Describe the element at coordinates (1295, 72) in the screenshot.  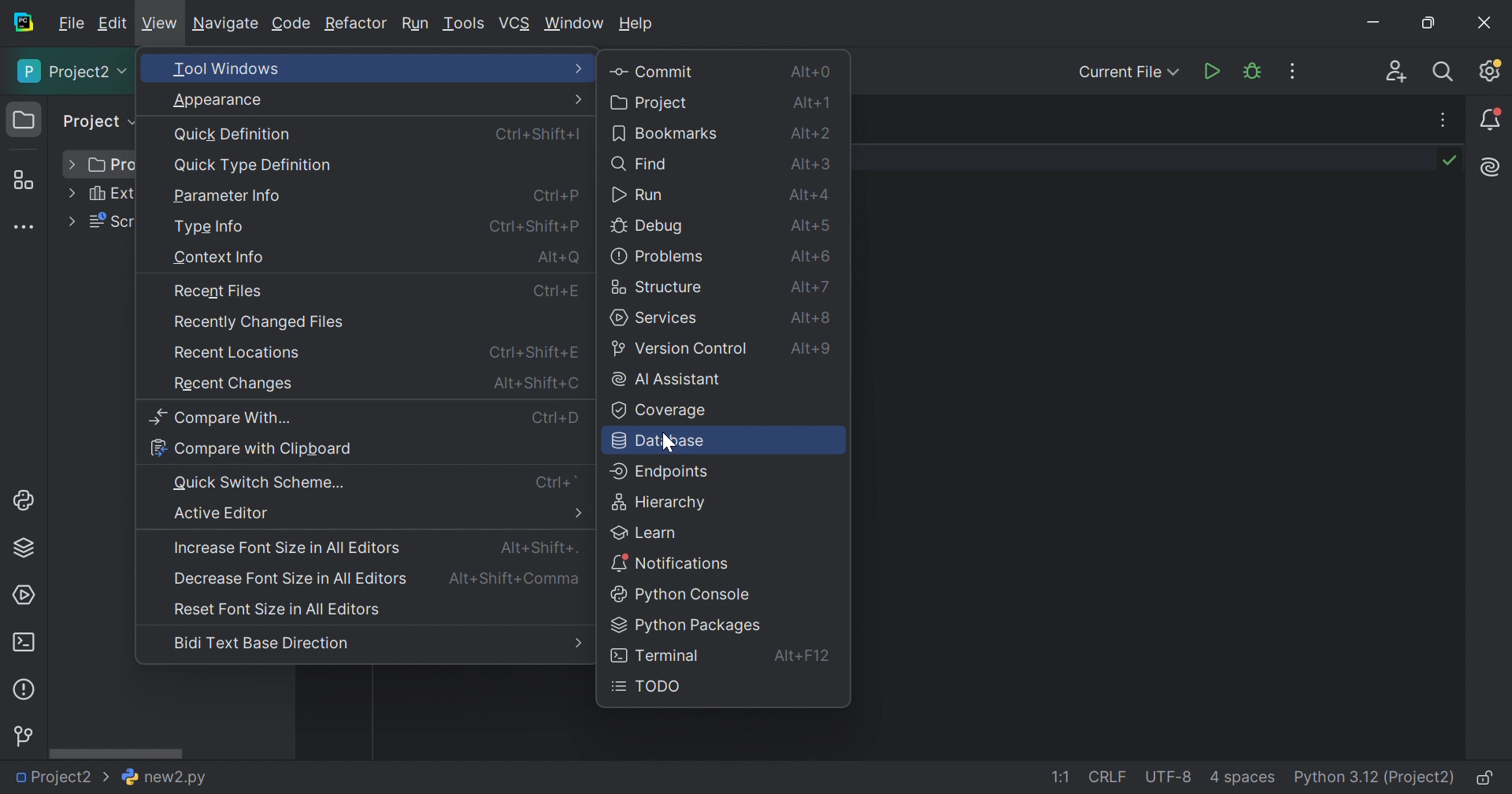
I see `More Actions` at that location.